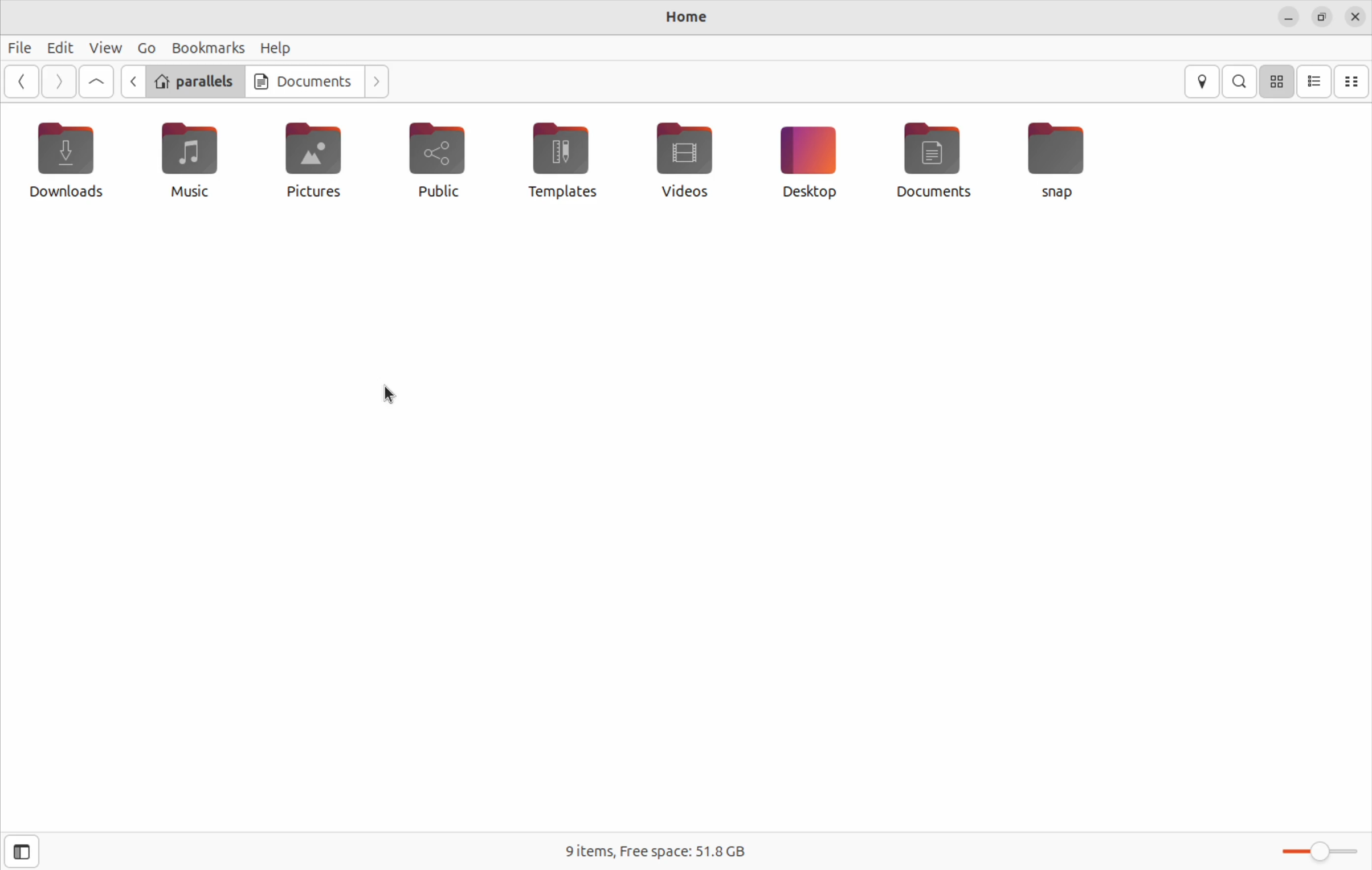 The height and width of the screenshot is (870, 1372). Describe the element at coordinates (277, 48) in the screenshot. I see `help` at that location.